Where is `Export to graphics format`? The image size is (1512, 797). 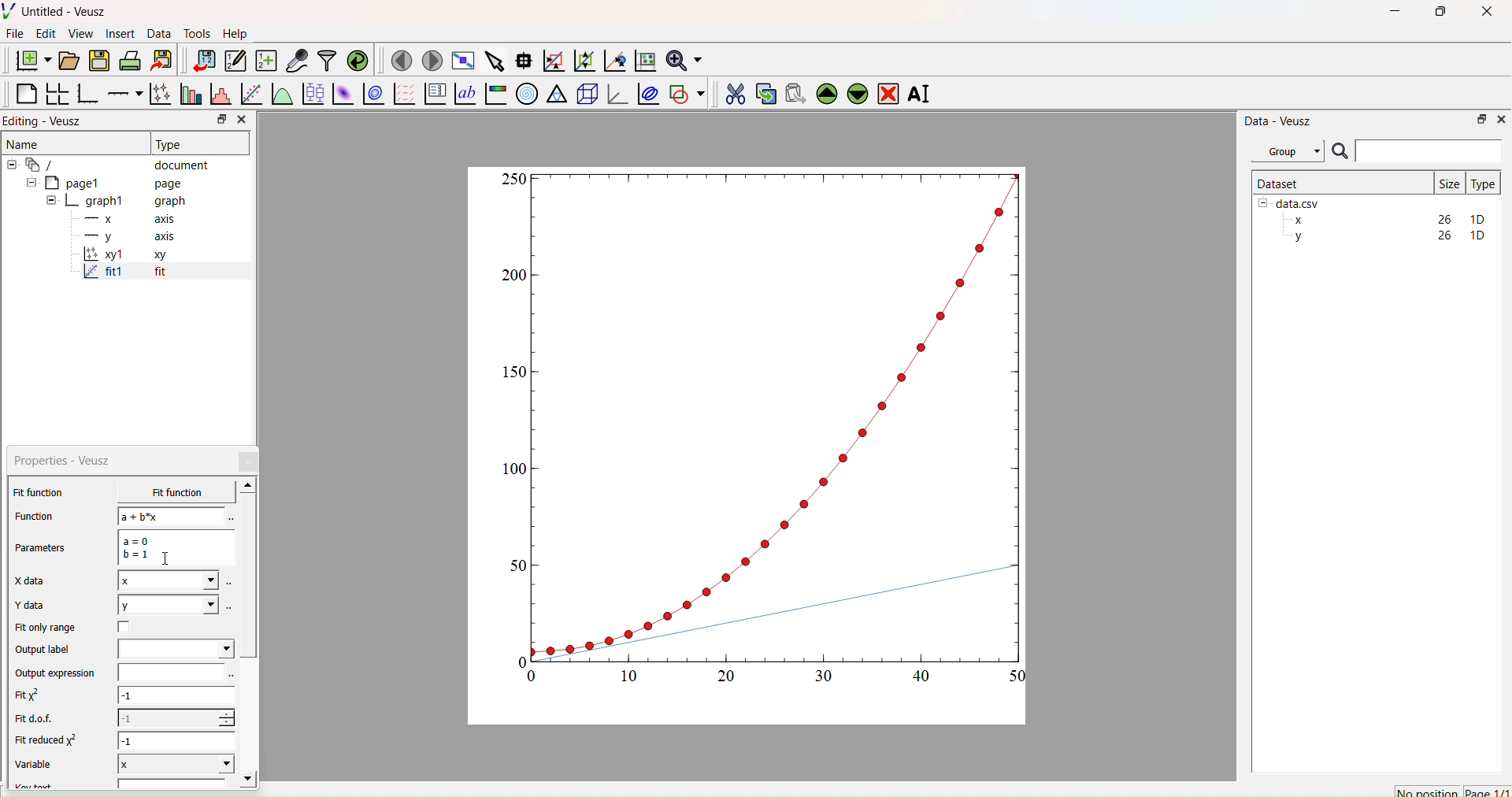 Export to graphics format is located at coordinates (161, 61).